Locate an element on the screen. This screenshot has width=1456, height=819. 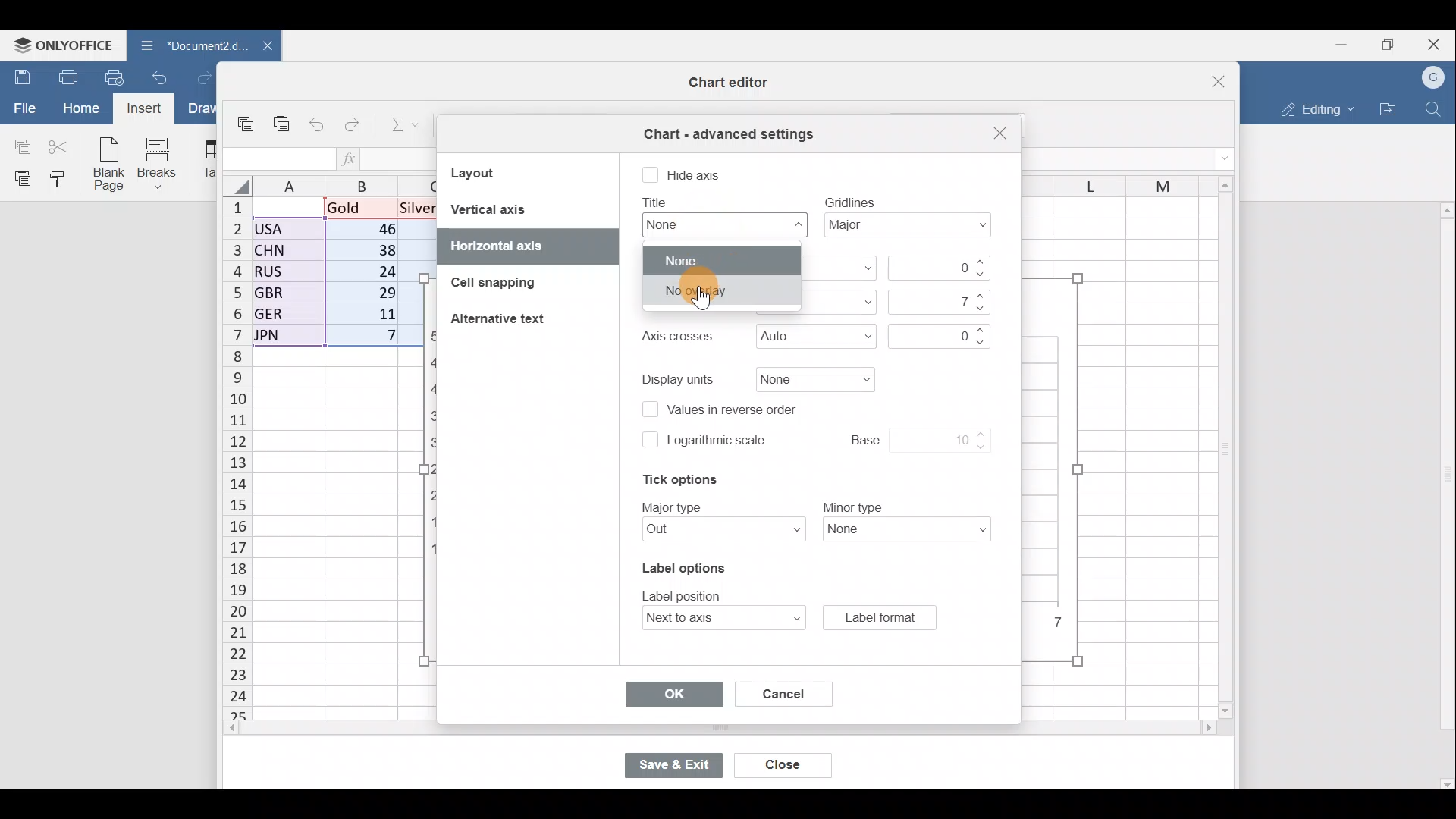
Undo is located at coordinates (160, 76).